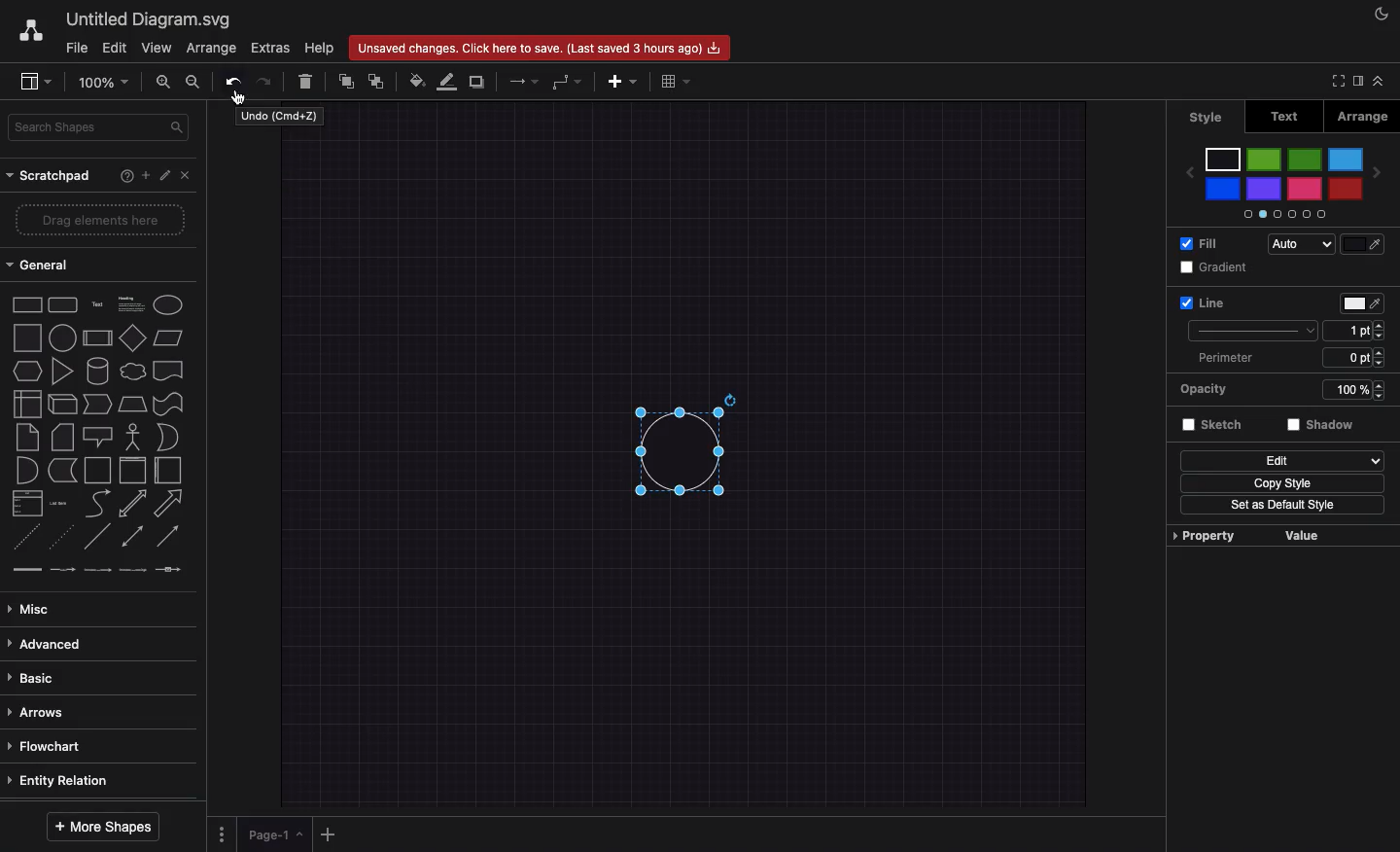 The image size is (1400, 852). What do you see at coordinates (1287, 115) in the screenshot?
I see `Text` at bounding box center [1287, 115].